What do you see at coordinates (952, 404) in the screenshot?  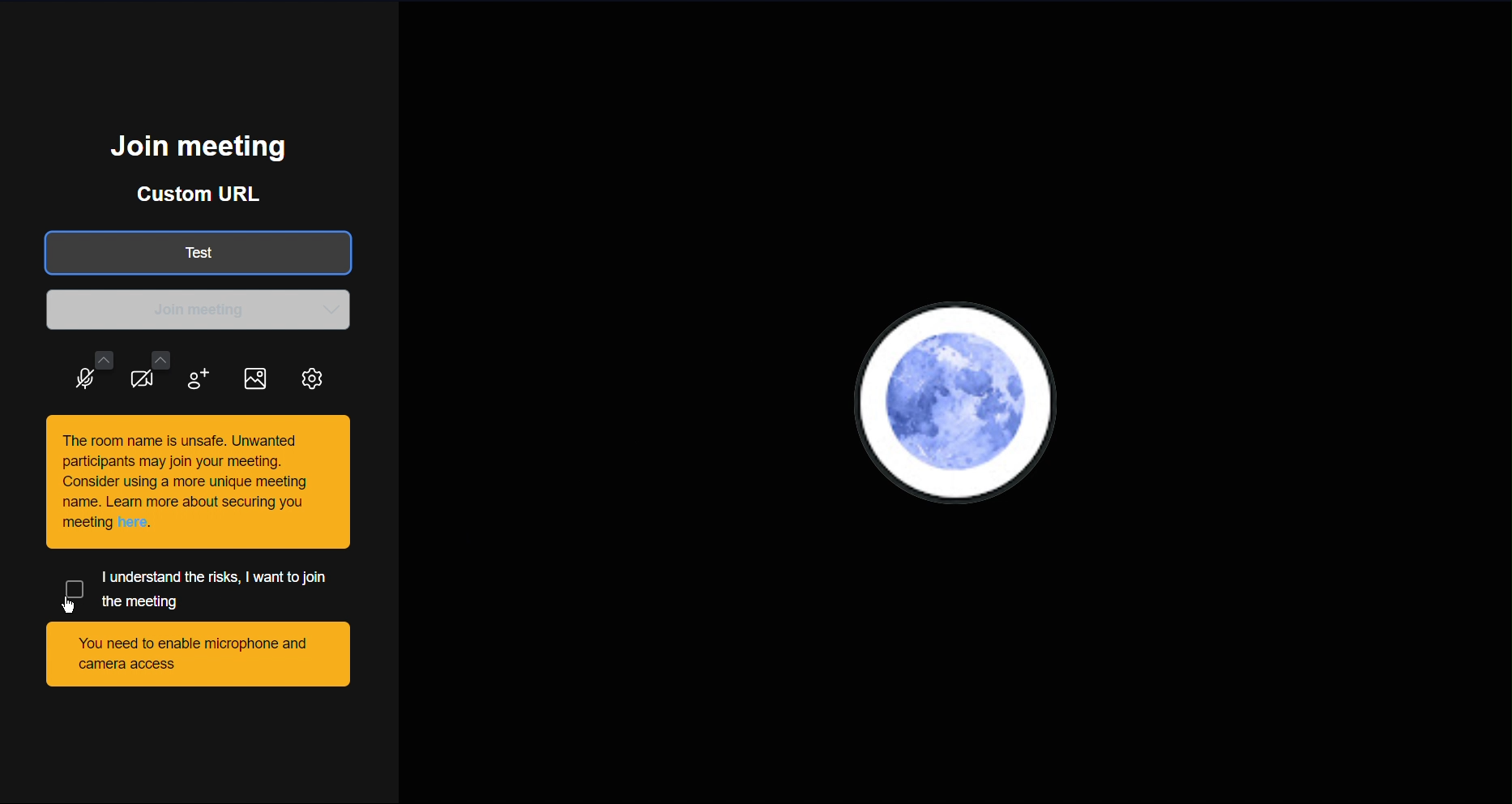 I see `User PFP` at bounding box center [952, 404].